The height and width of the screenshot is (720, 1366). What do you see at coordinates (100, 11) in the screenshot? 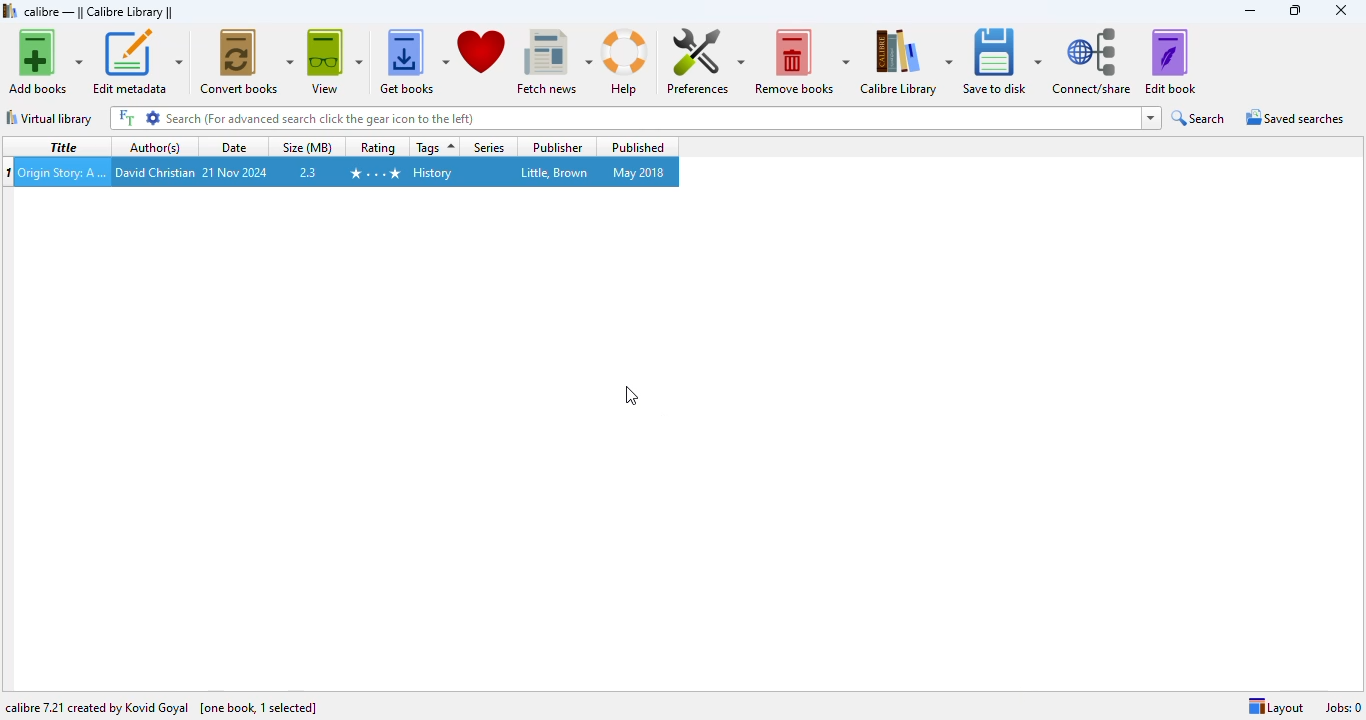
I see `calibre library` at bounding box center [100, 11].